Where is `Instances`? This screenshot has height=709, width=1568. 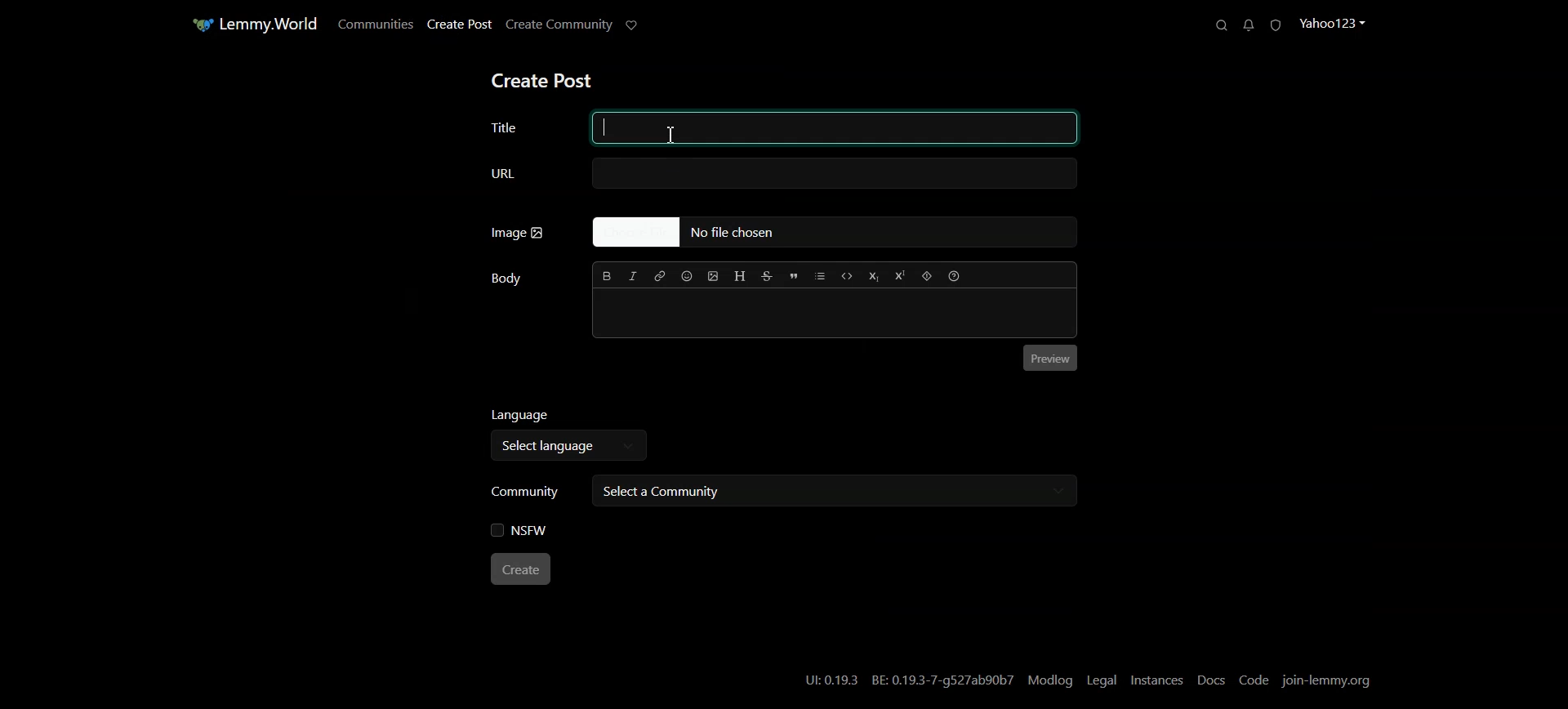 Instances is located at coordinates (1157, 680).